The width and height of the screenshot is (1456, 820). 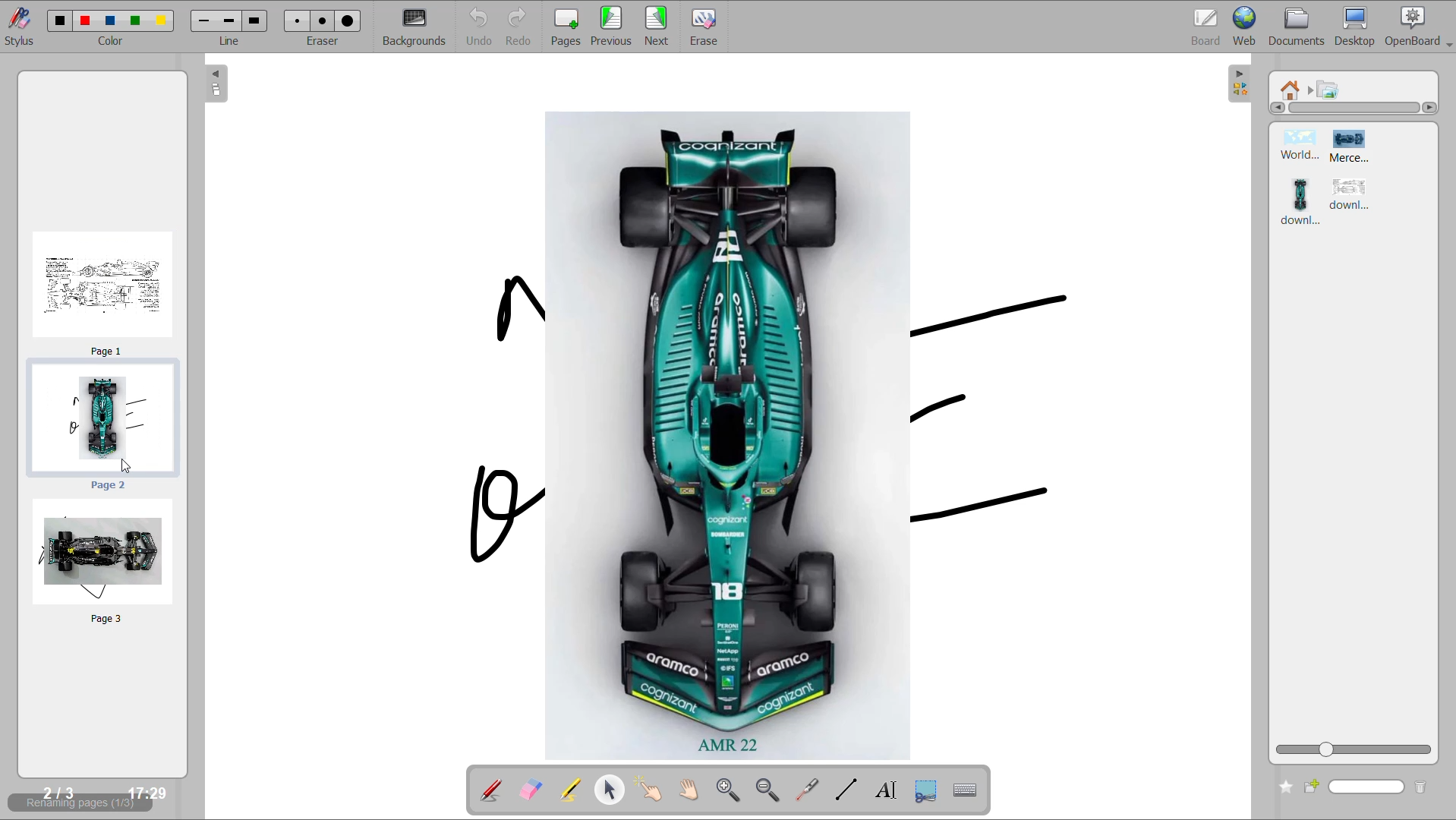 What do you see at coordinates (1330, 91) in the screenshot?
I see `picture` at bounding box center [1330, 91].